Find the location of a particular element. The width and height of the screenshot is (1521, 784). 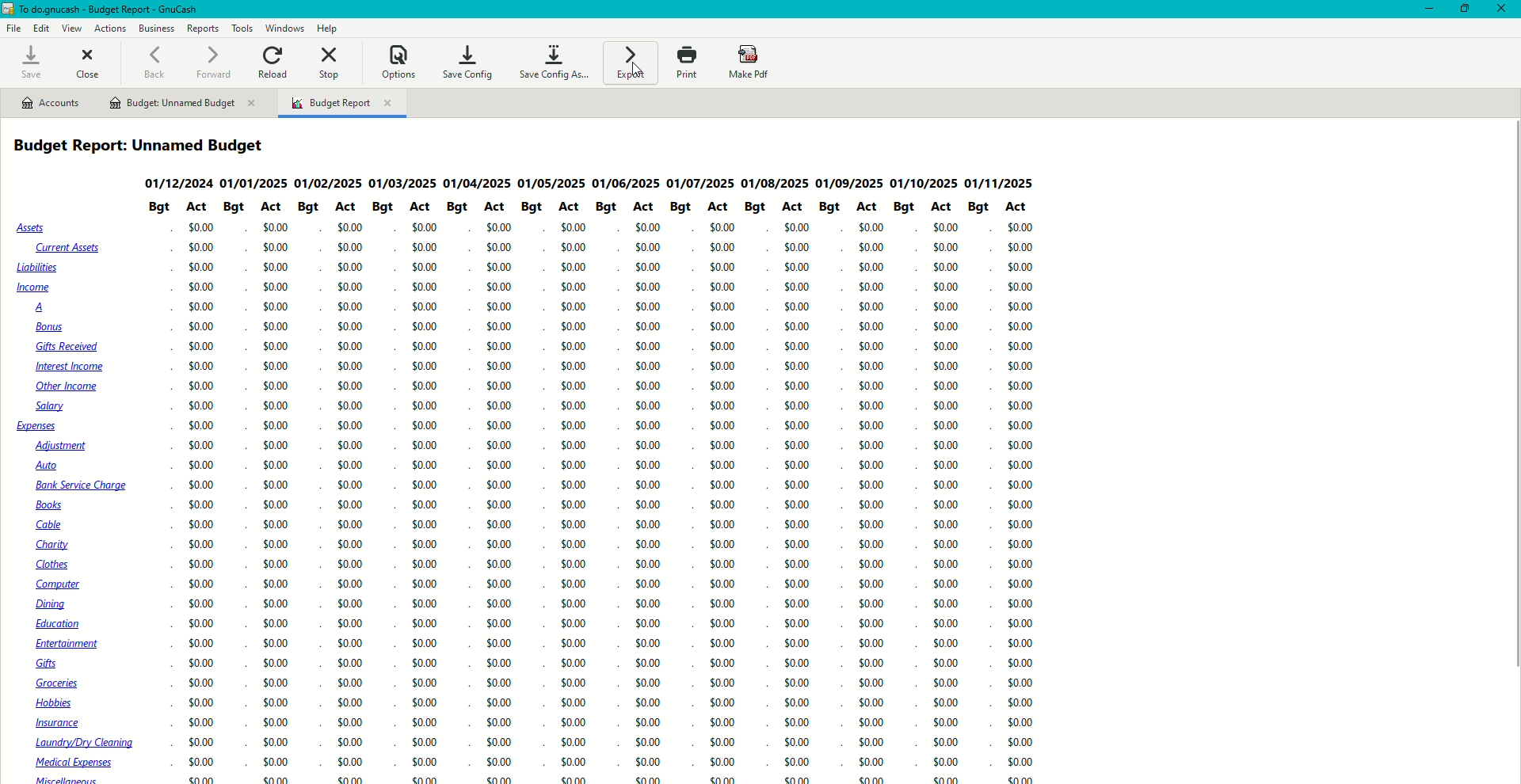

$0.00 is located at coordinates (499, 485).